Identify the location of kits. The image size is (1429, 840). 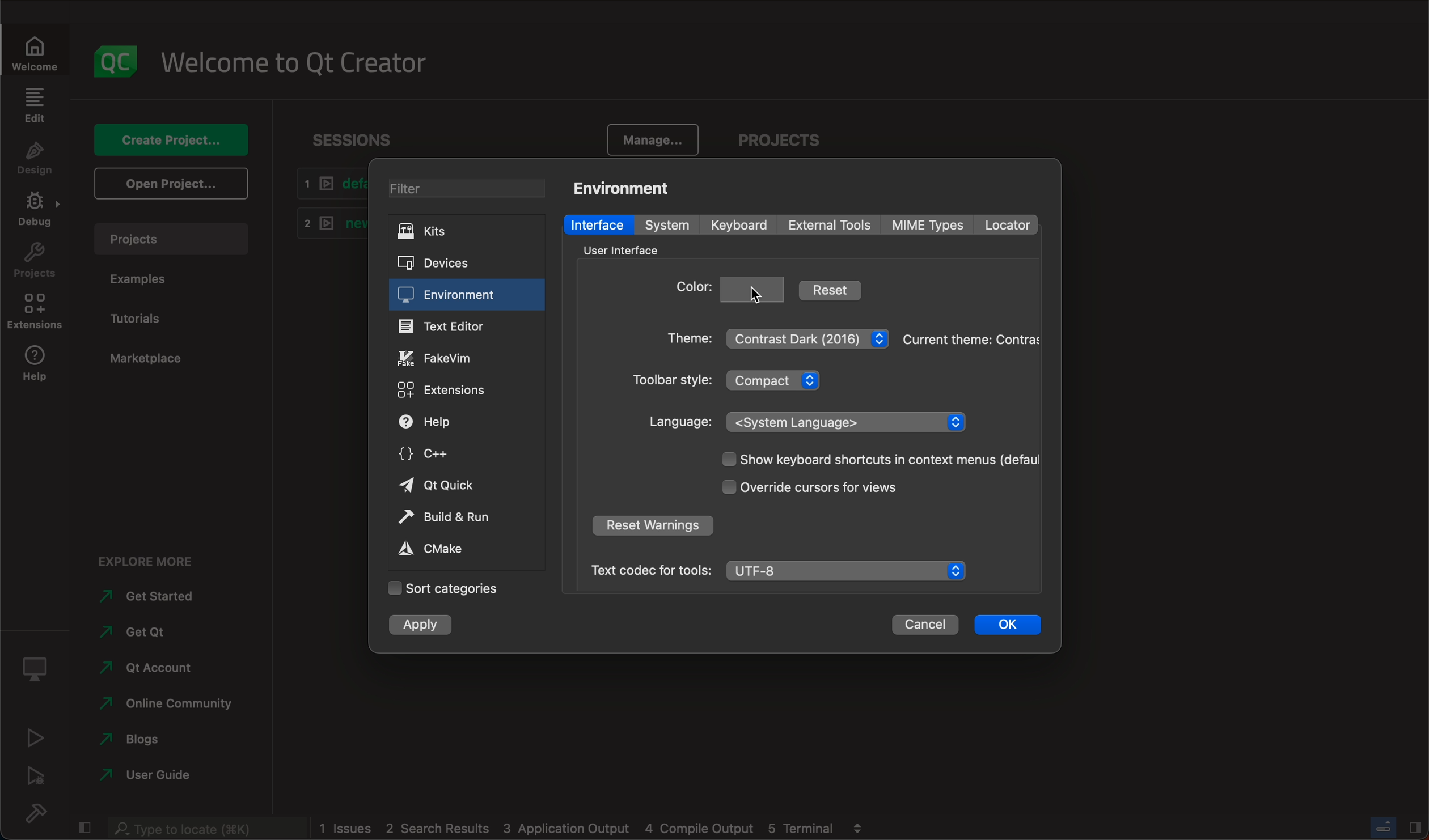
(460, 232).